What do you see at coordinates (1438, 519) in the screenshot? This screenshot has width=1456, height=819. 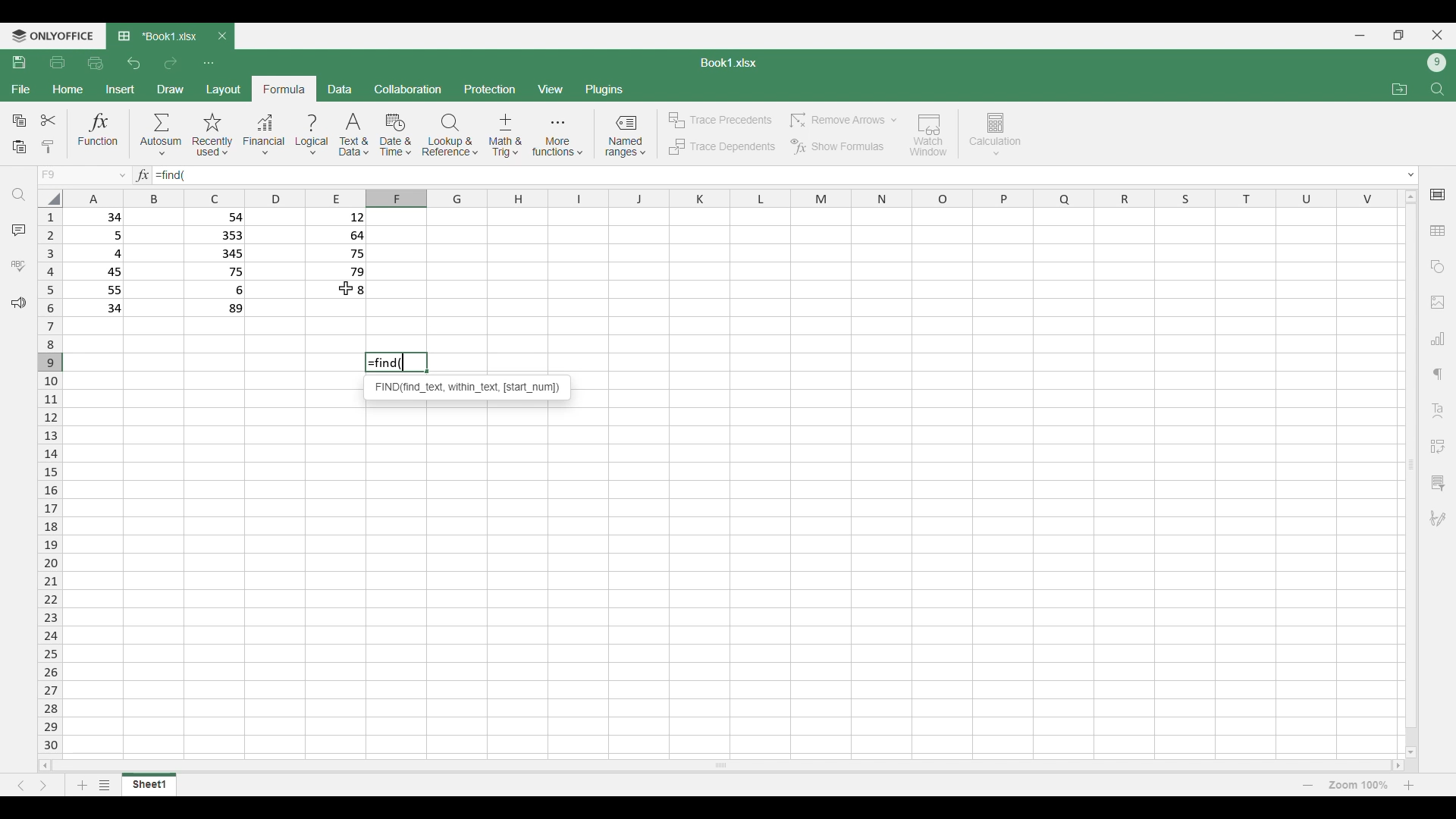 I see `Add digital signature or signature line` at bounding box center [1438, 519].